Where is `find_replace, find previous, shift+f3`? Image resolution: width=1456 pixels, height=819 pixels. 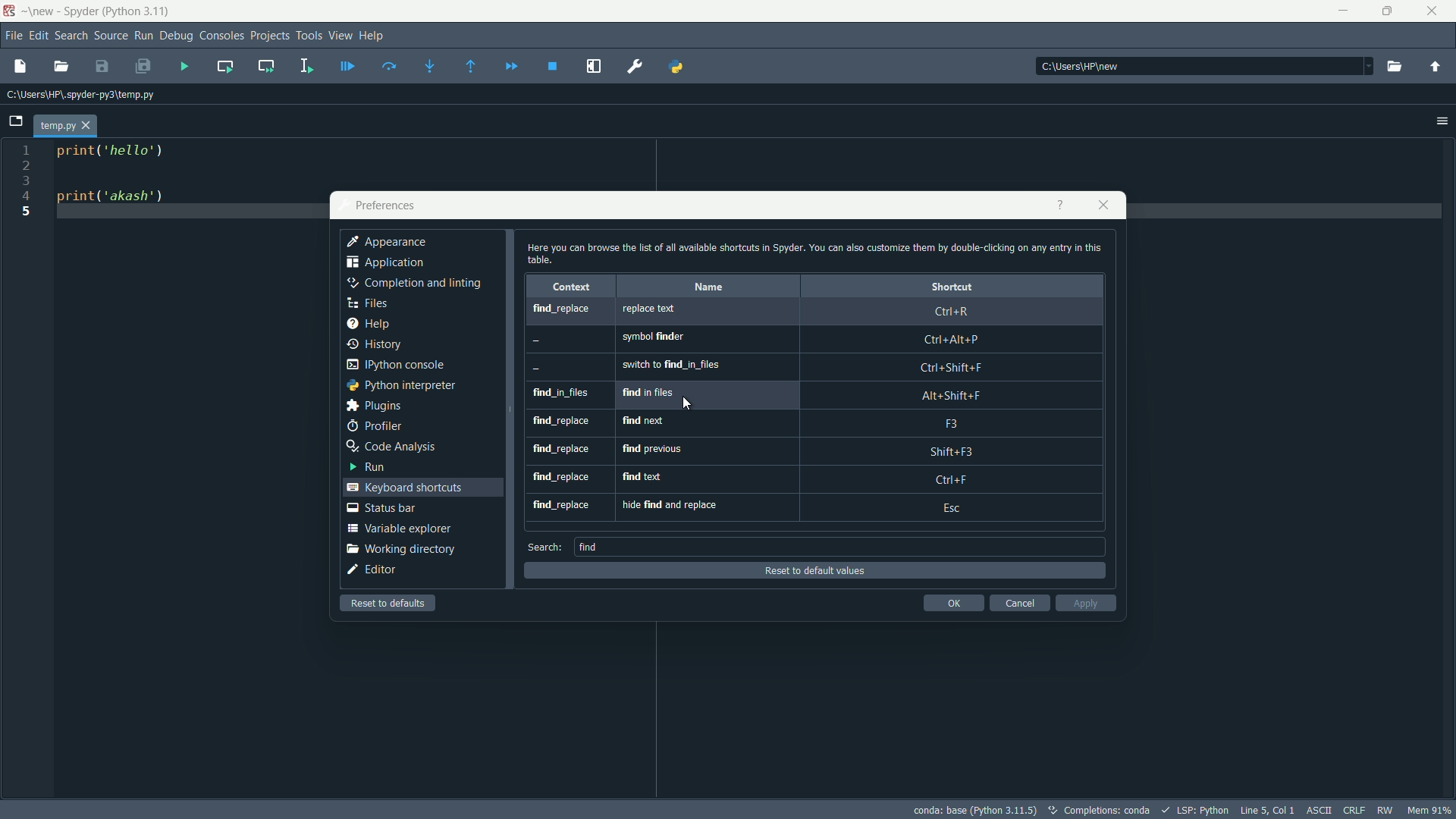
find_replace, find previous, shift+f3 is located at coordinates (815, 450).